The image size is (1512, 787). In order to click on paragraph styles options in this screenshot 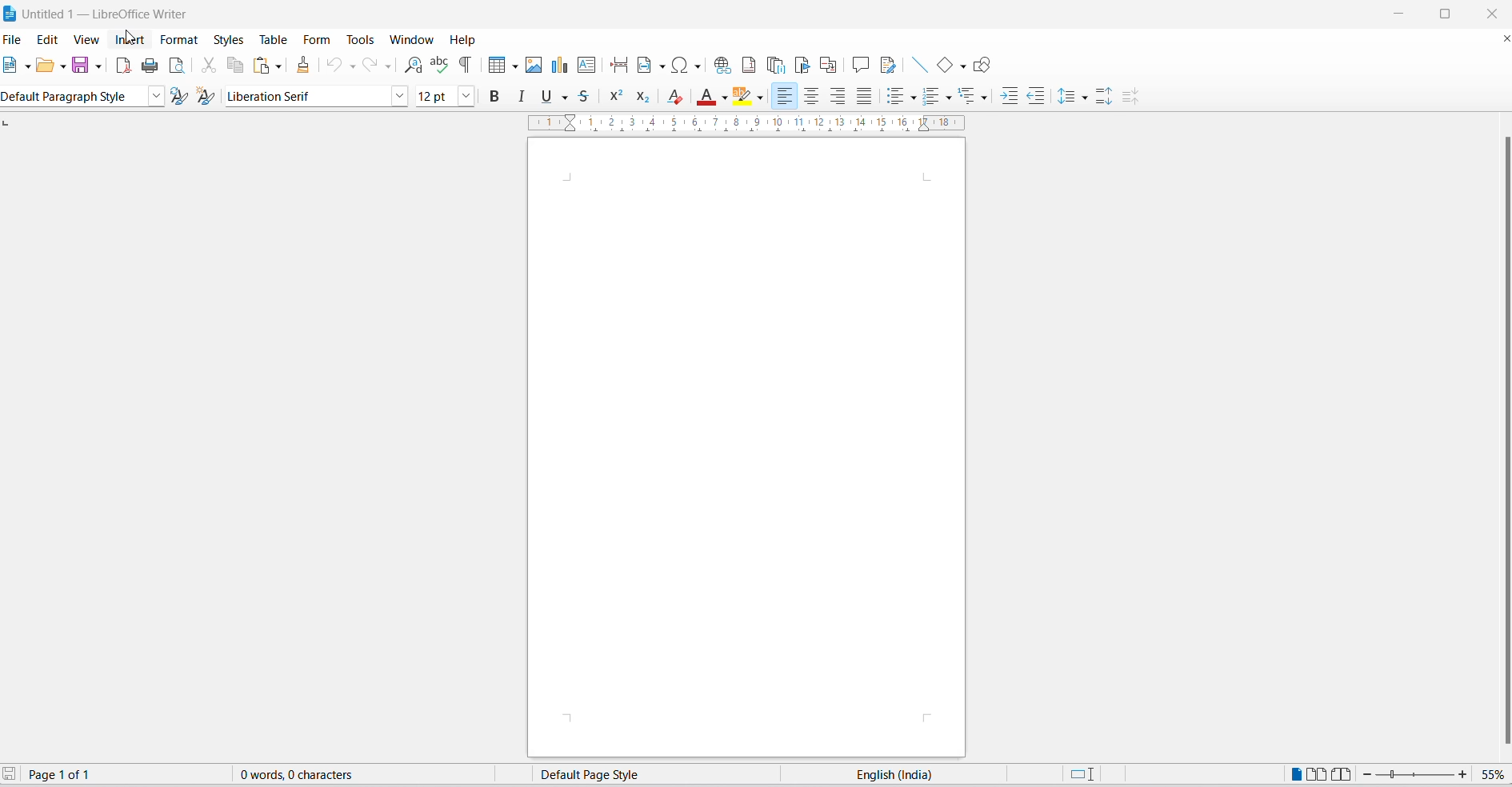, I will do `click(157, 97)`.